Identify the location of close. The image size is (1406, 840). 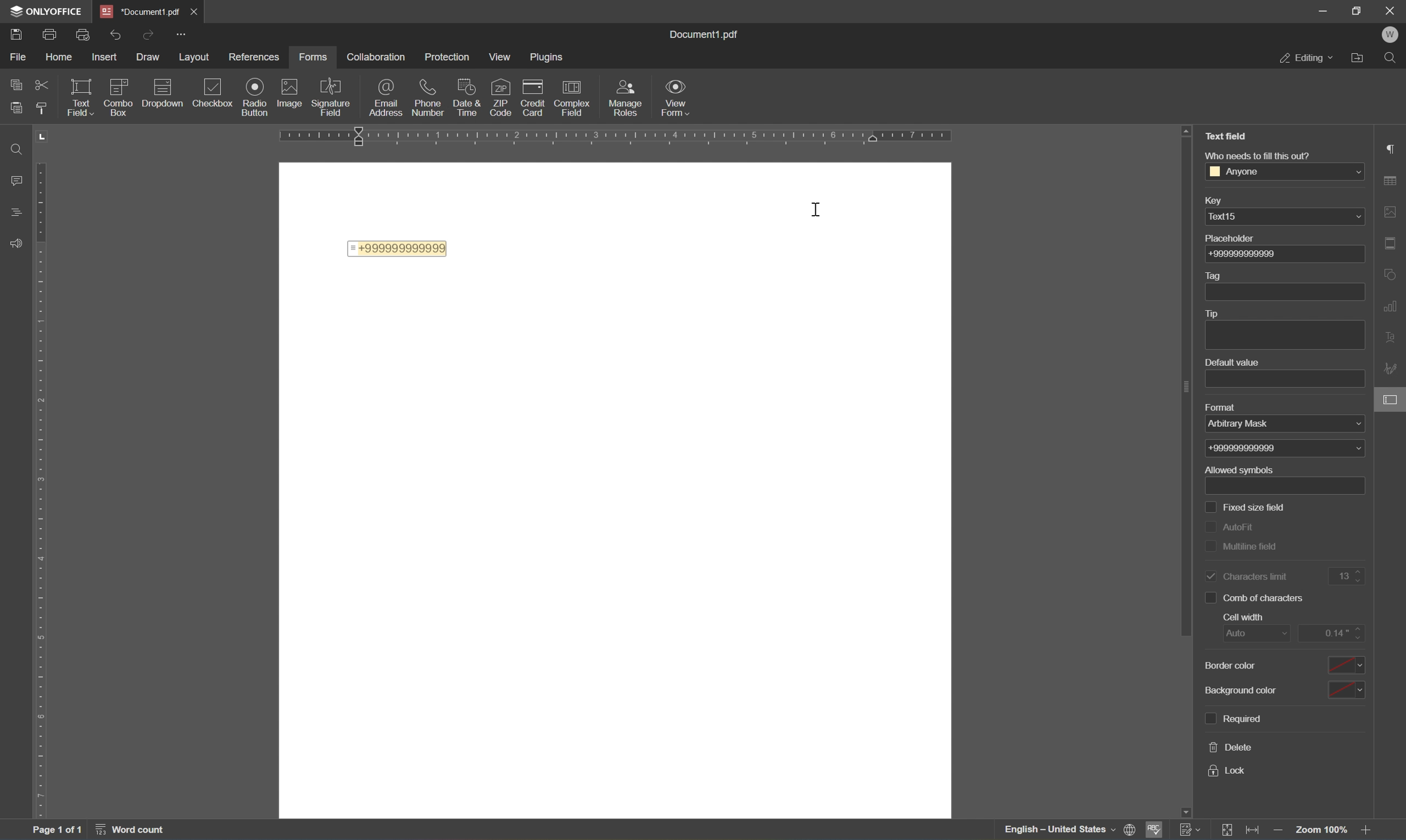
(1391, 10).